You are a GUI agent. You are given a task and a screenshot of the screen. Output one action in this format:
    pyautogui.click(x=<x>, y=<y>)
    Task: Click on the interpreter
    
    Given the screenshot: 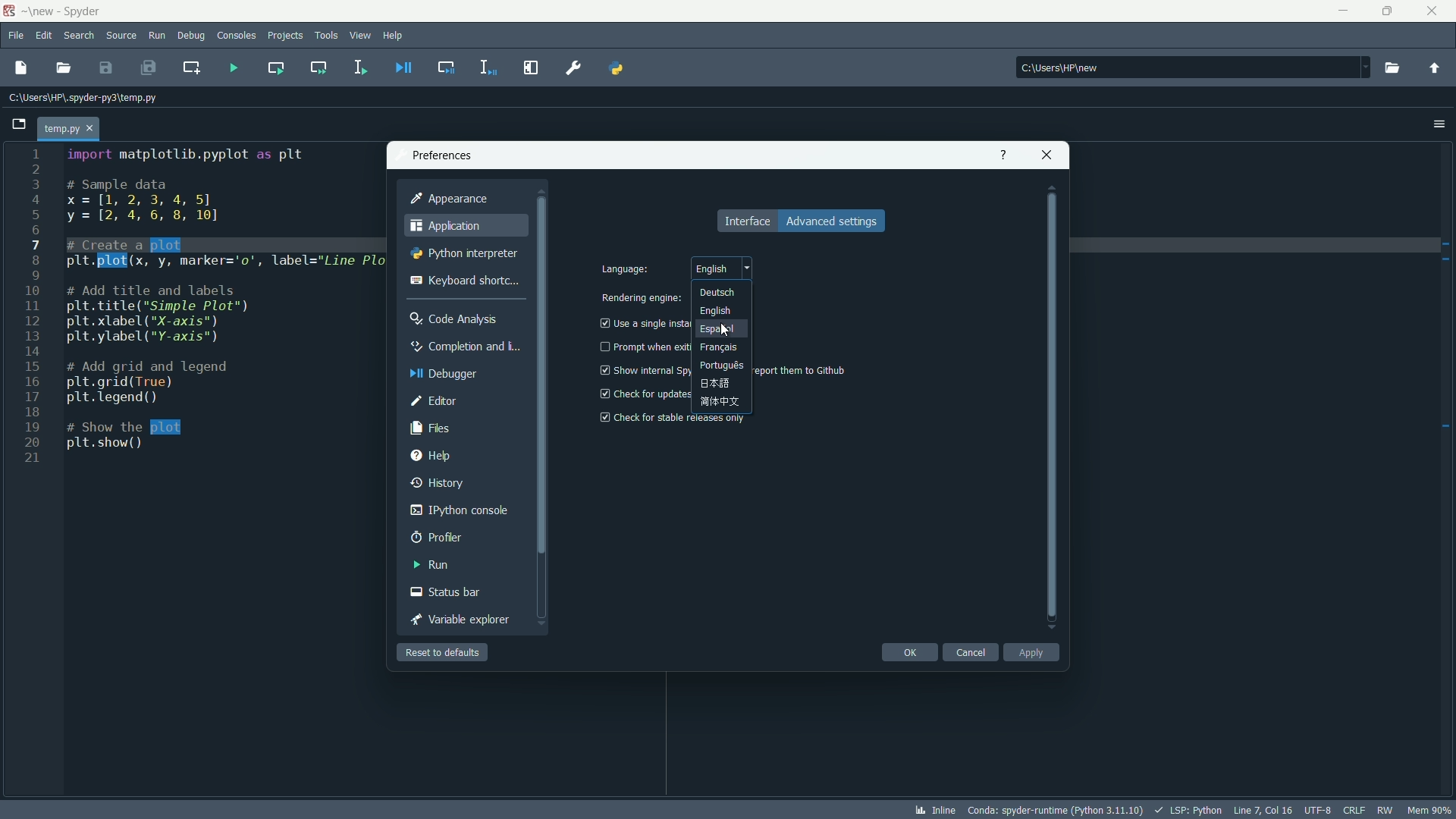 What is the action you would take?
    pyautogui.click(x=1056, y=810)
    